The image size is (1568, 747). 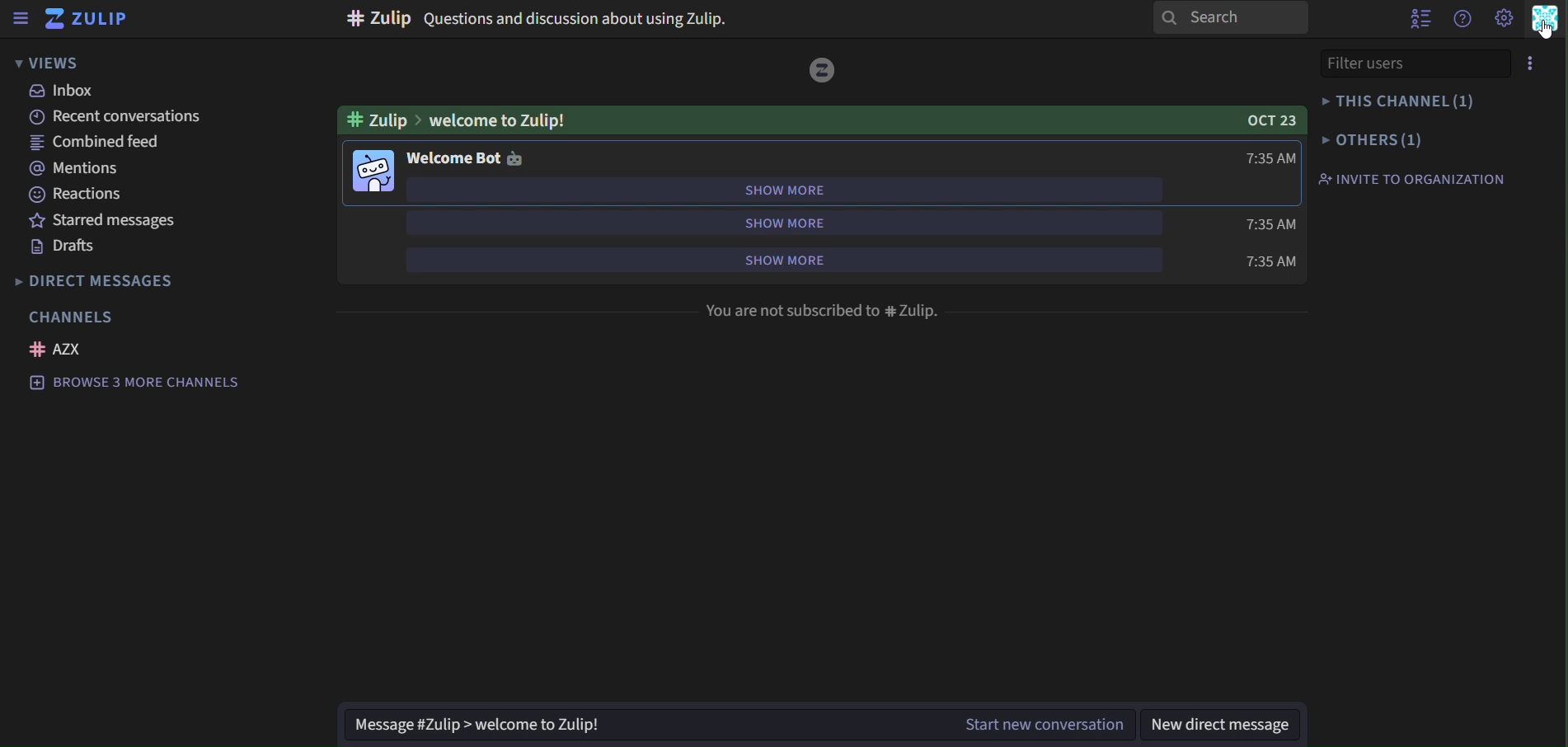 I want to click on inbox, so click(x=66, y=92).